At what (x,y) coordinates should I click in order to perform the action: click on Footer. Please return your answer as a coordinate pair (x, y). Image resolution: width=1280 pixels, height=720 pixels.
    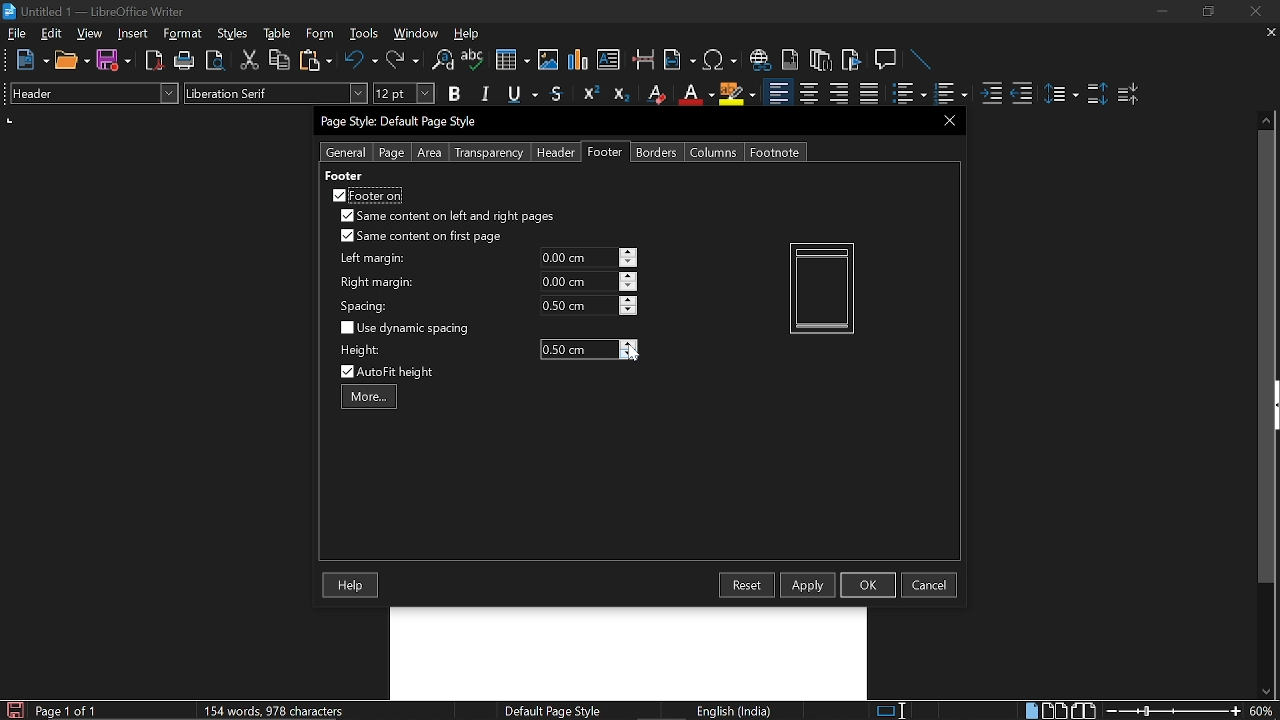
    Looking at the image, I should click on (606, 152).